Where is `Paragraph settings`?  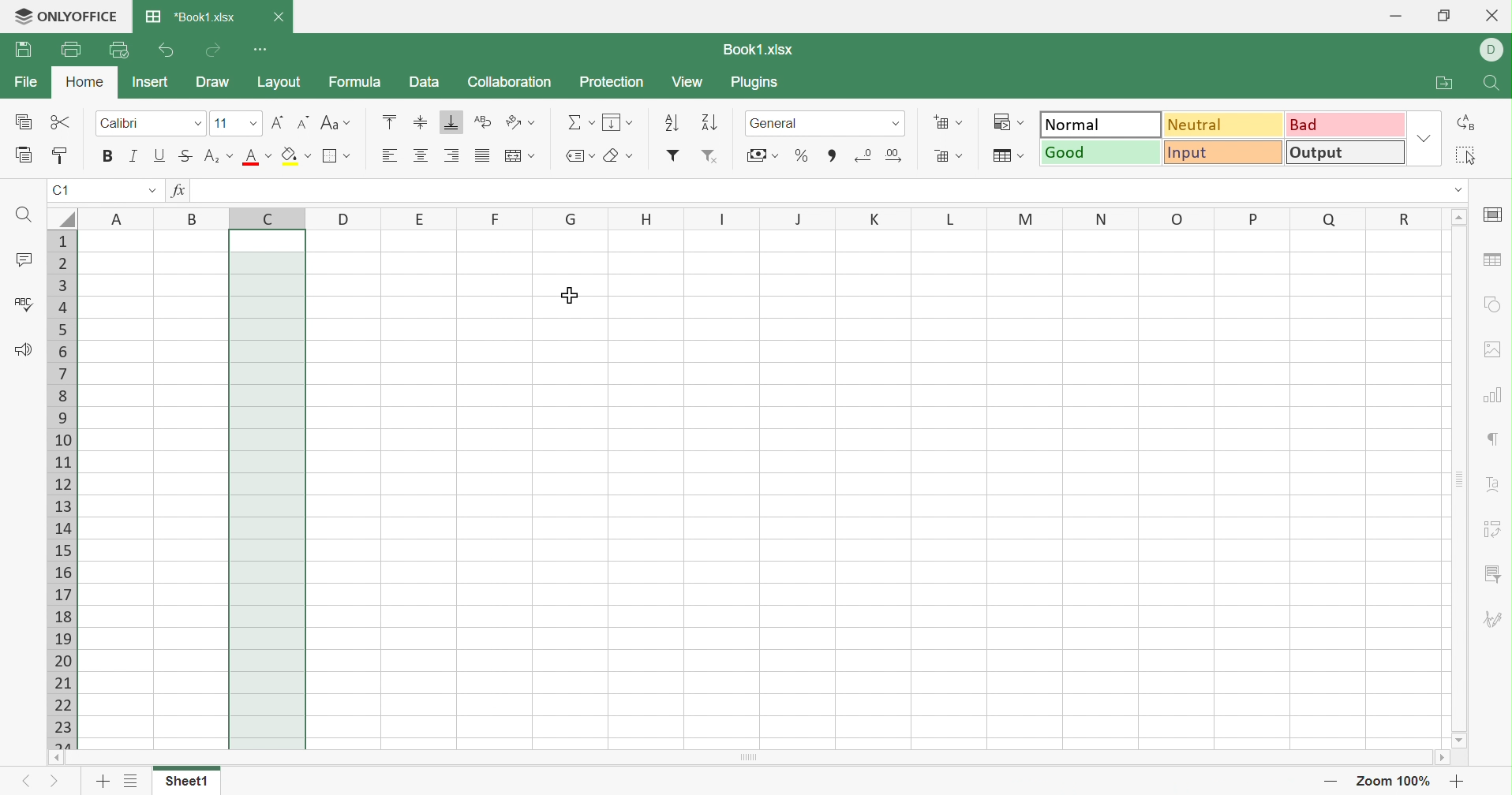
Paragraph settings is located at coordinates (1491, 439).